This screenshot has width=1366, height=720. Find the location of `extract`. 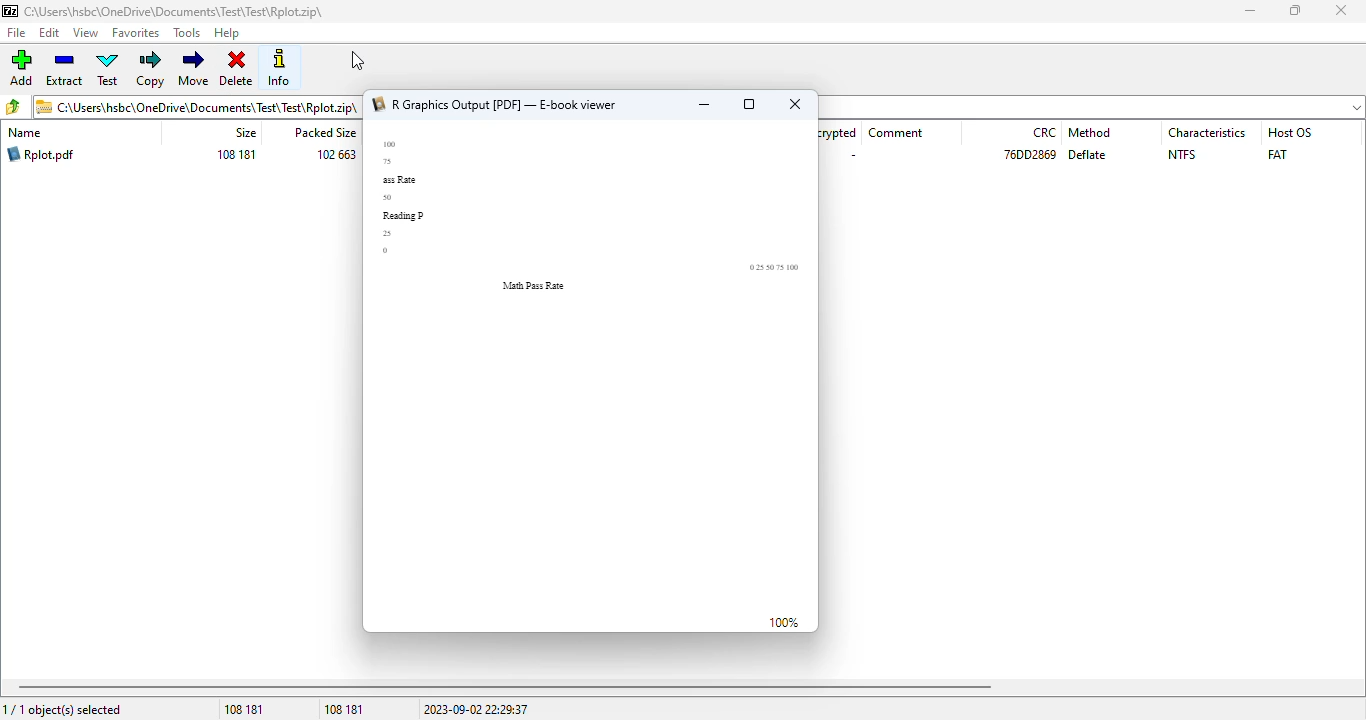

extract is located at coordinates (64, 68).